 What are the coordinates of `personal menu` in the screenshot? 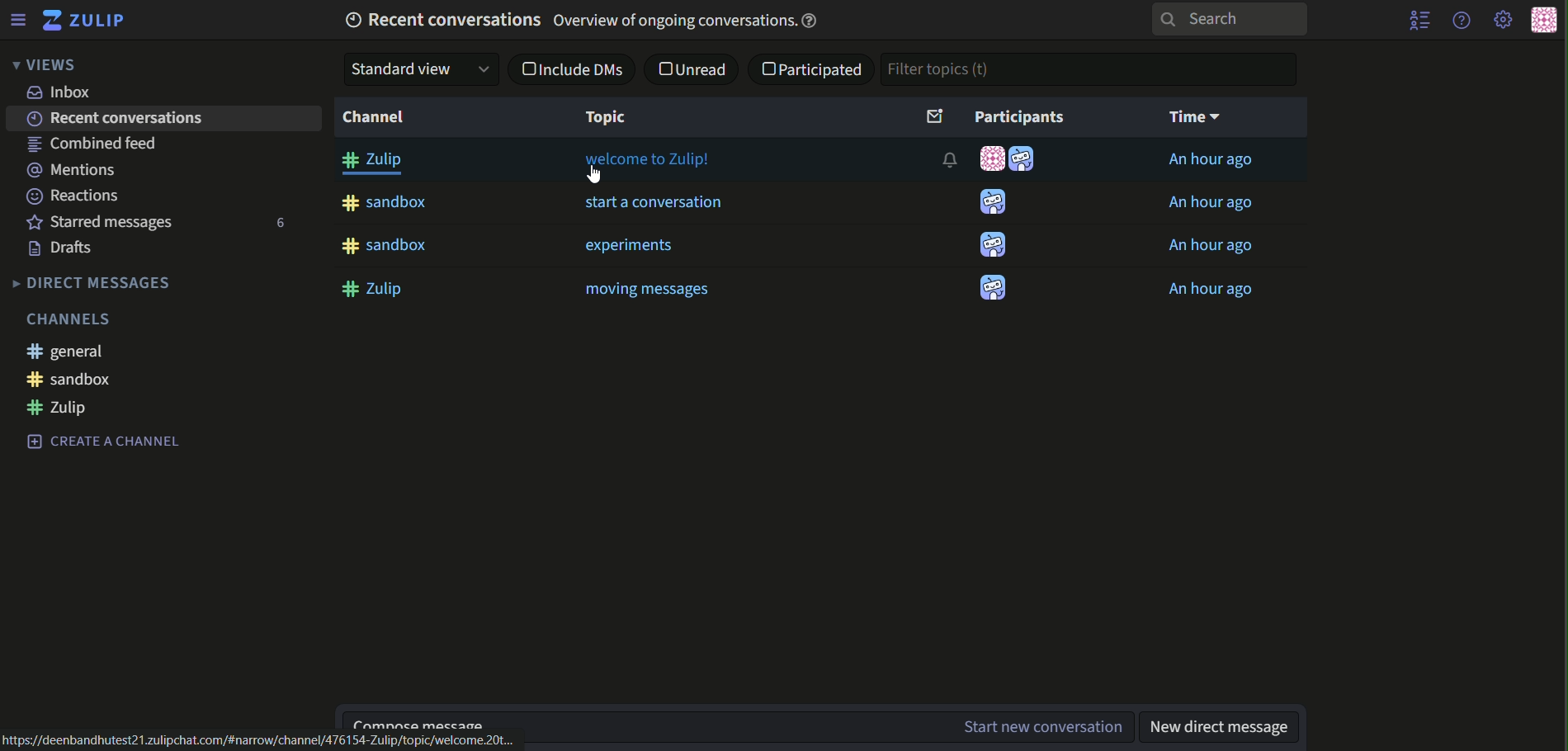 It's located at (1543, 21).